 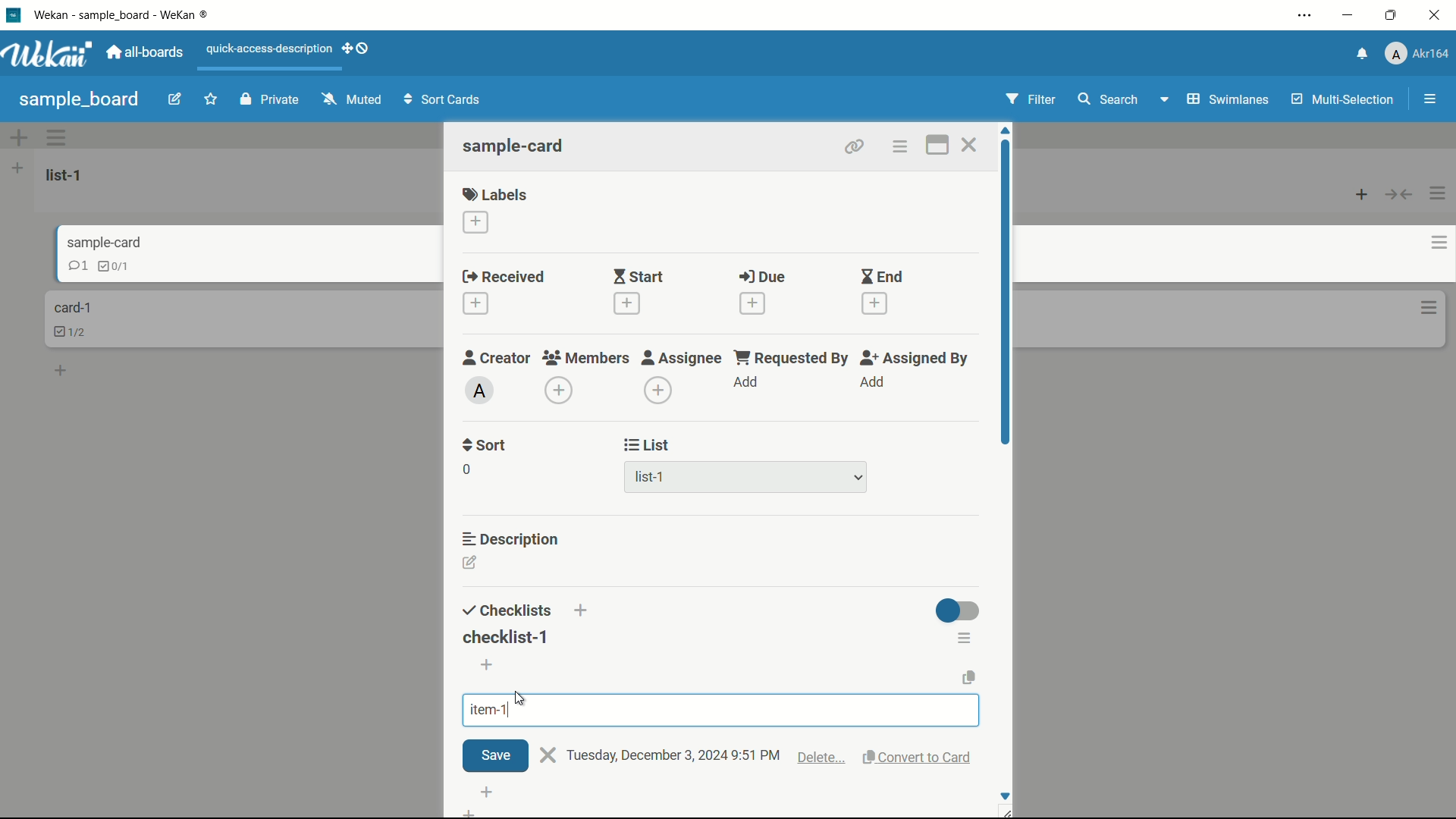 What do you see at coordinates (269, 49) in the screenshot?
I see `quick-access-description` at bounding box center [269, 49].